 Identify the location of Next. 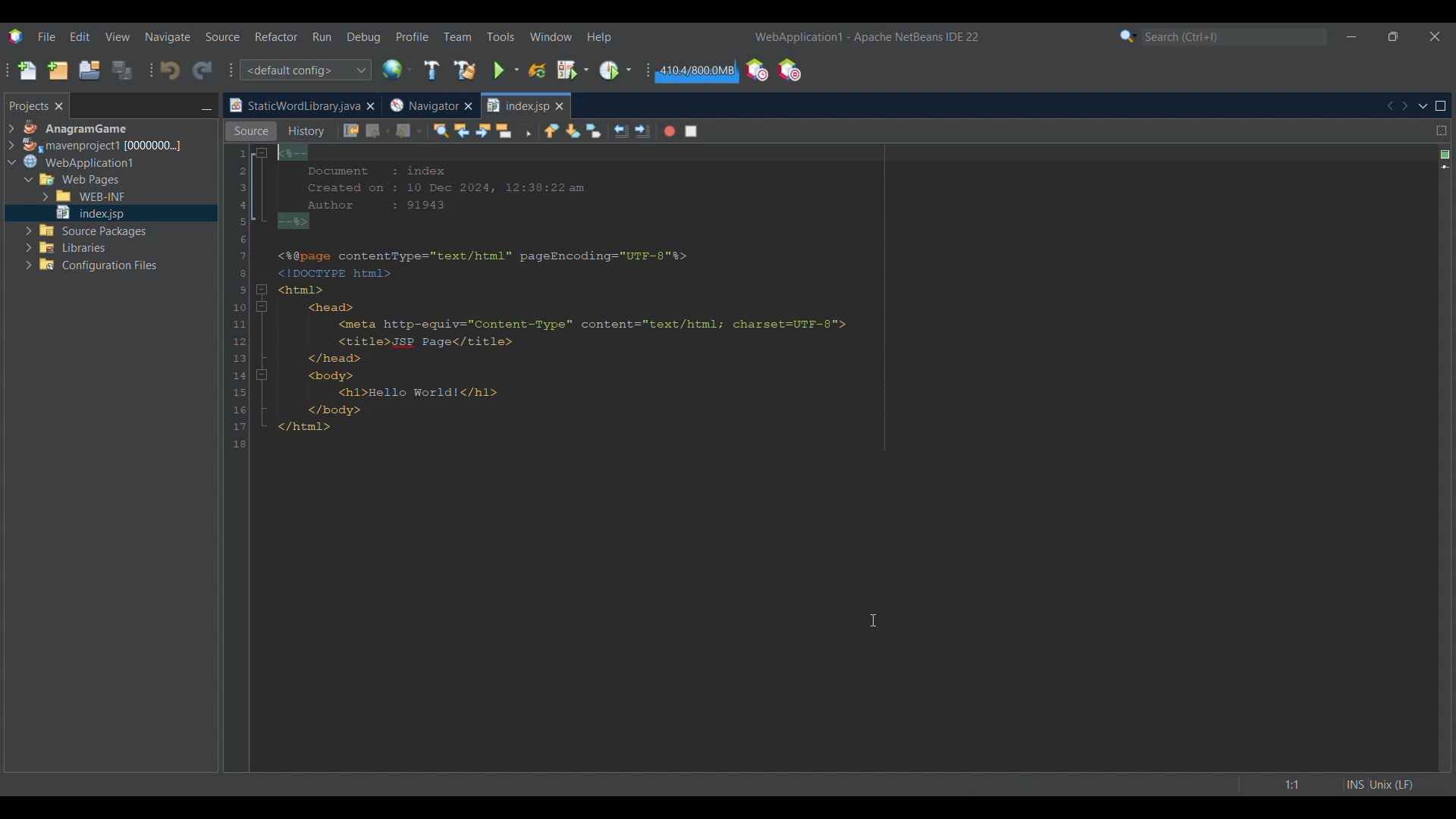
(1404, 106).